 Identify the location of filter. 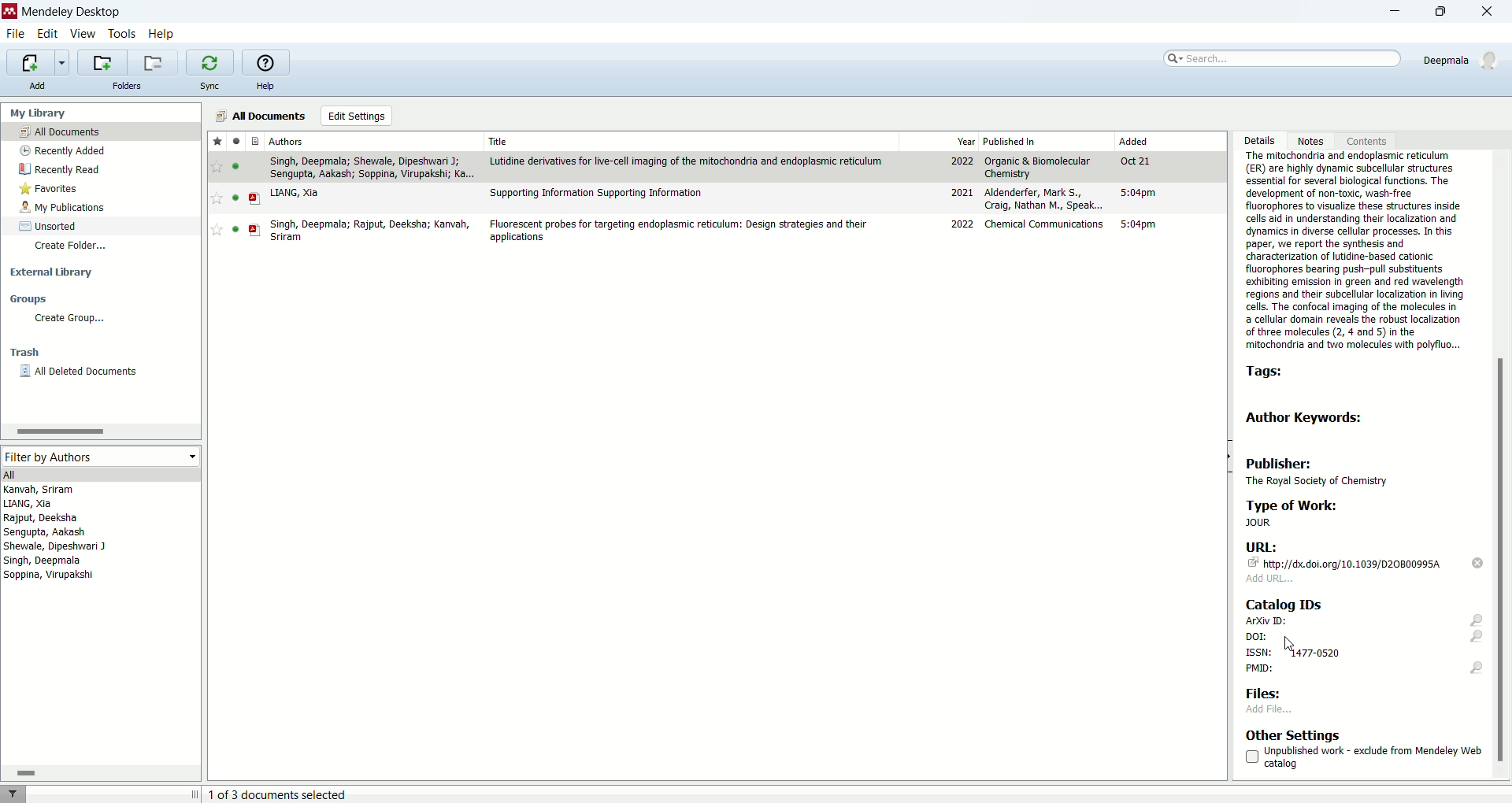
(13, 794).